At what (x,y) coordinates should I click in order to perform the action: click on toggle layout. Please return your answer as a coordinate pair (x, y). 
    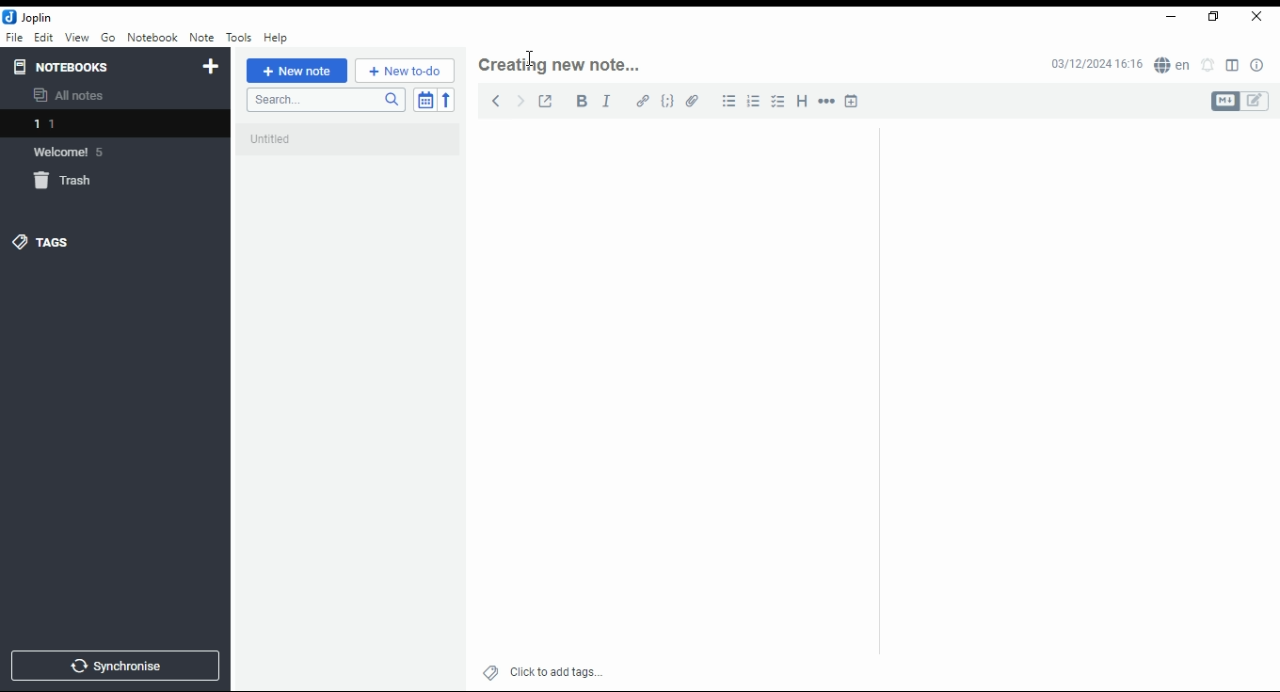
    Looking at the image, I should click on (1233, 66).